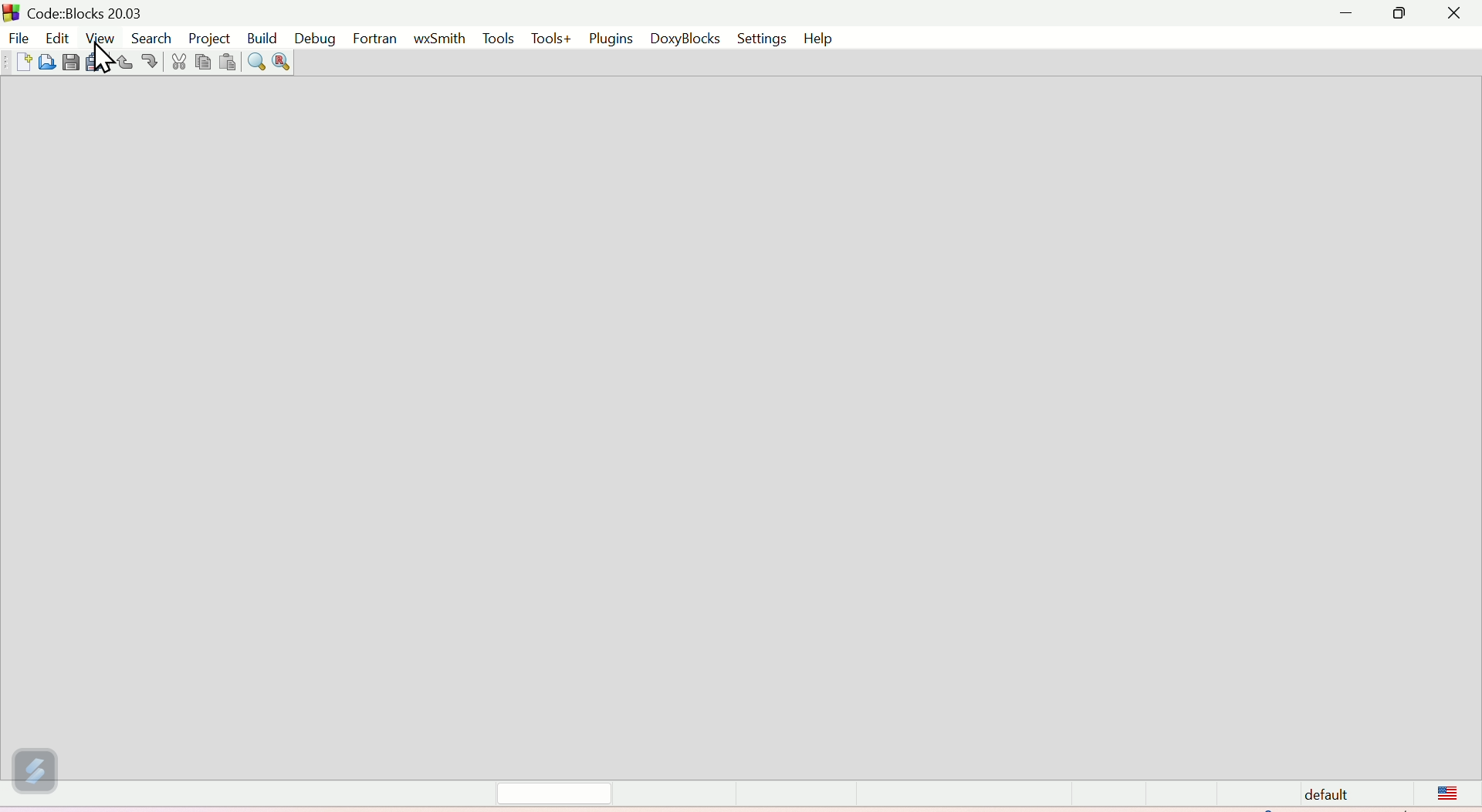  What do you see at coordinates (148, 37) in the screenshot?
I see `Search` at bounding box center [148, 37].